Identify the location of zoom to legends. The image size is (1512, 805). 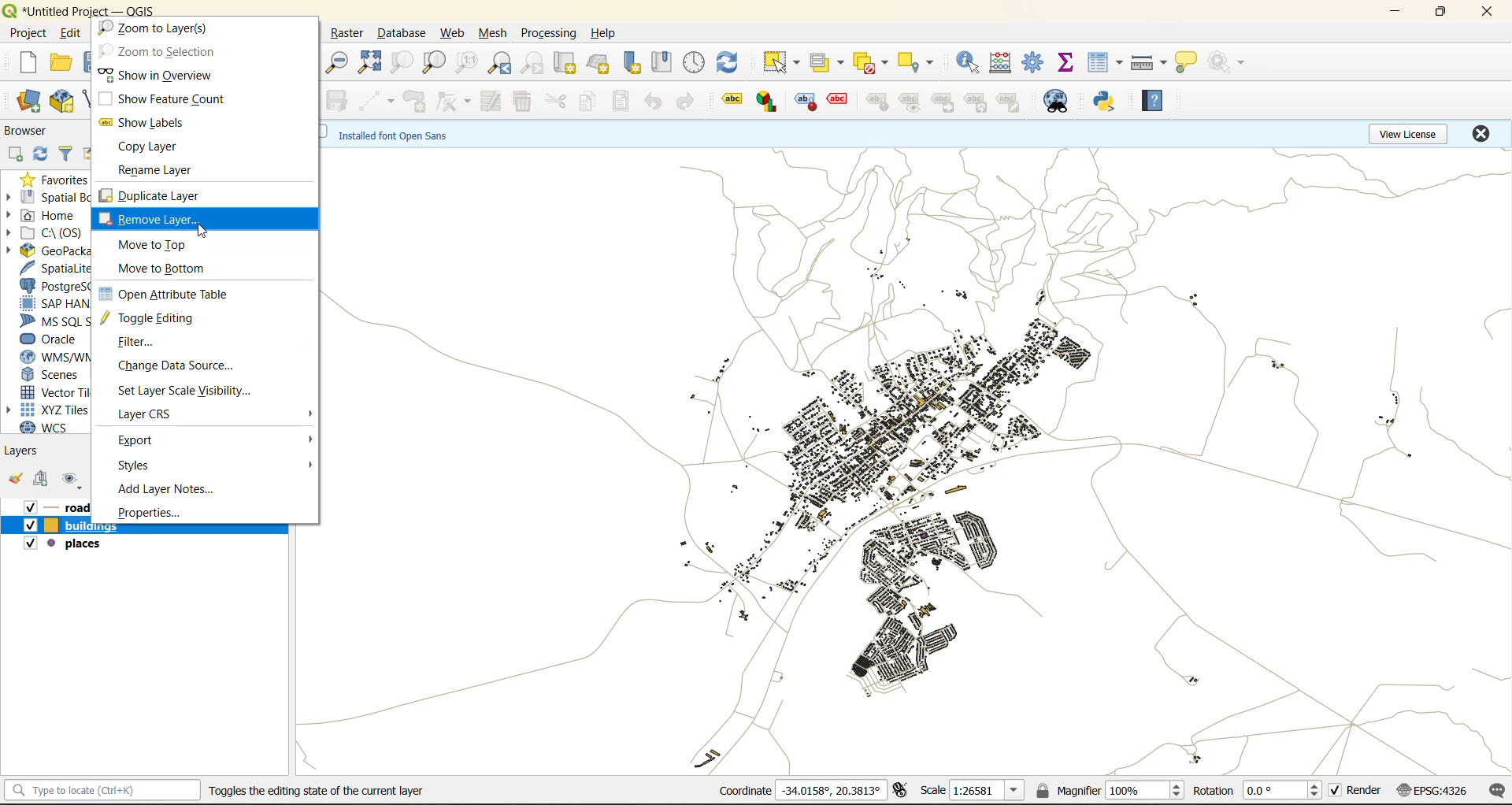
(172, 29).